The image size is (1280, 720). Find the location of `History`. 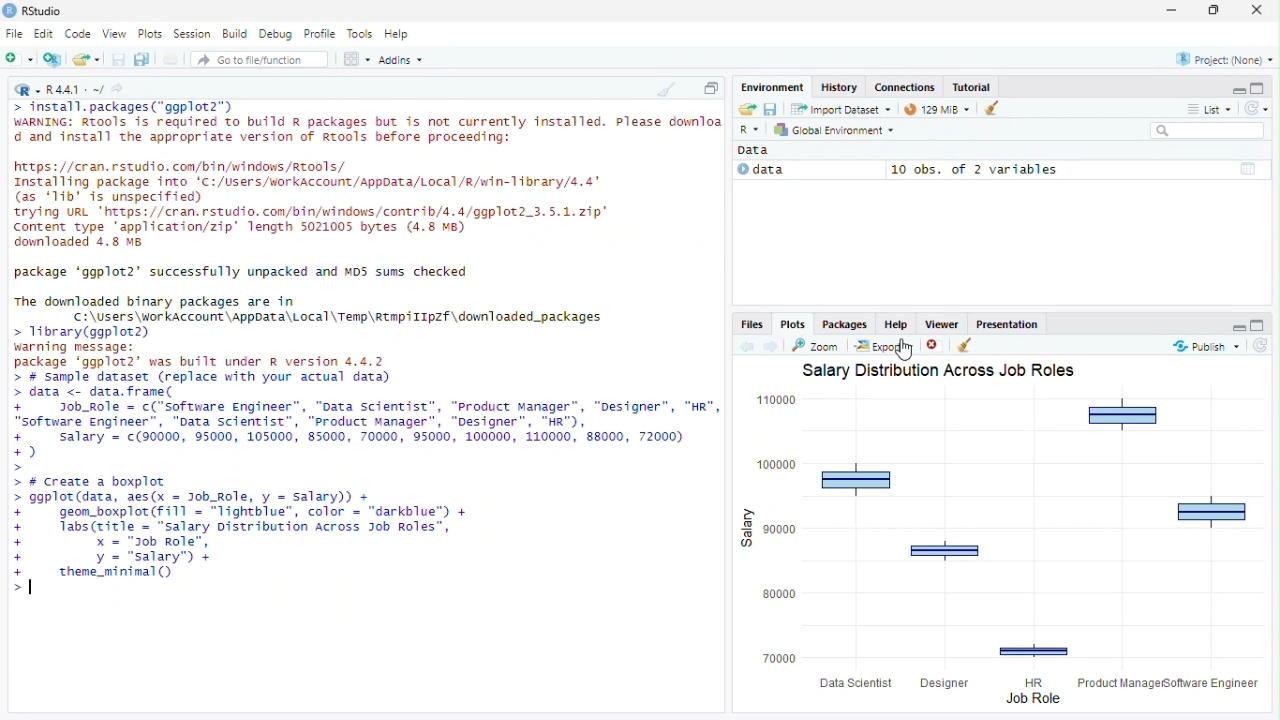

History is located at coordinates (839, 87).